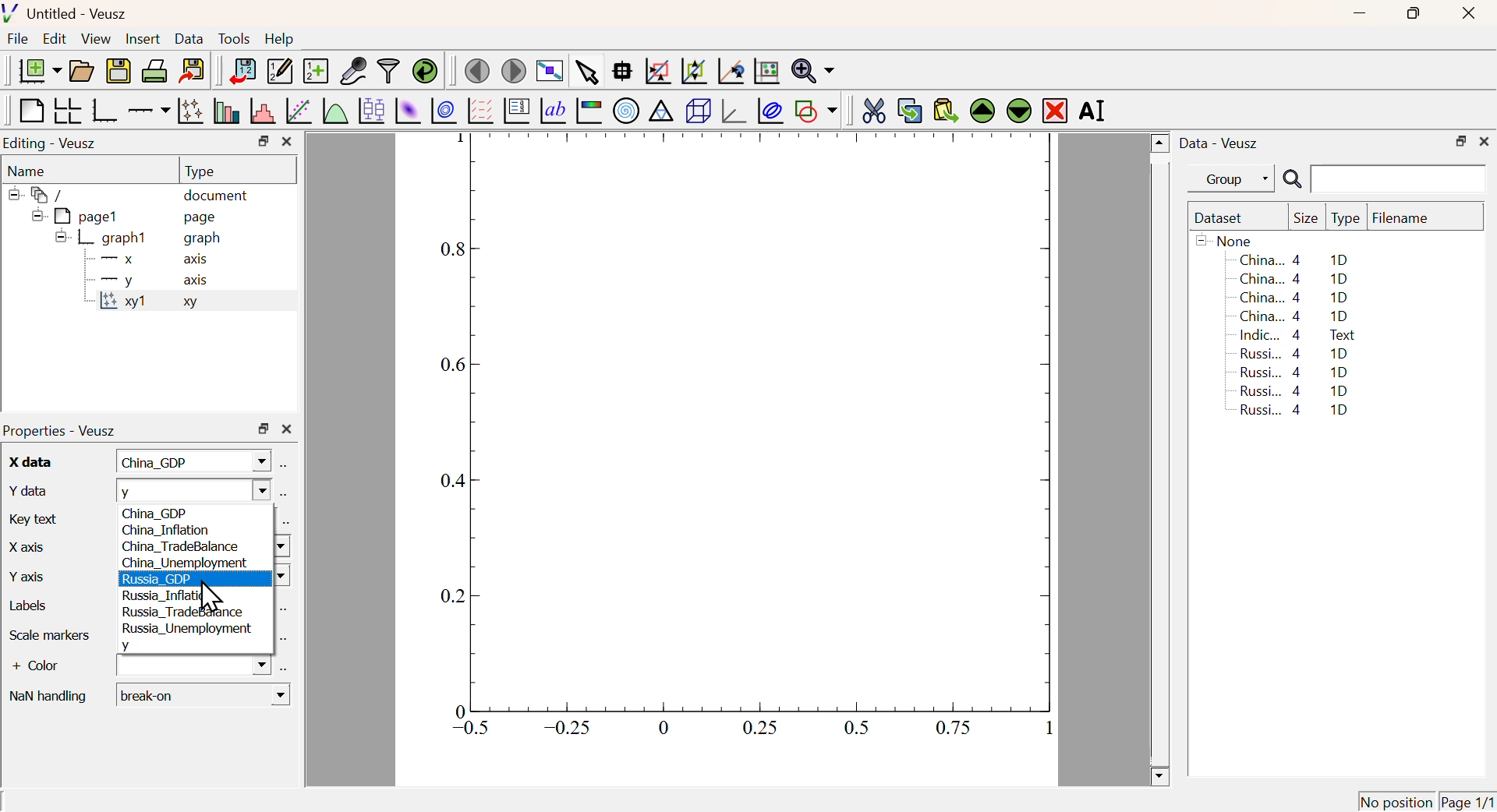  I want to click on Draw rectangle to zoom graph axis, so click(656, 71).